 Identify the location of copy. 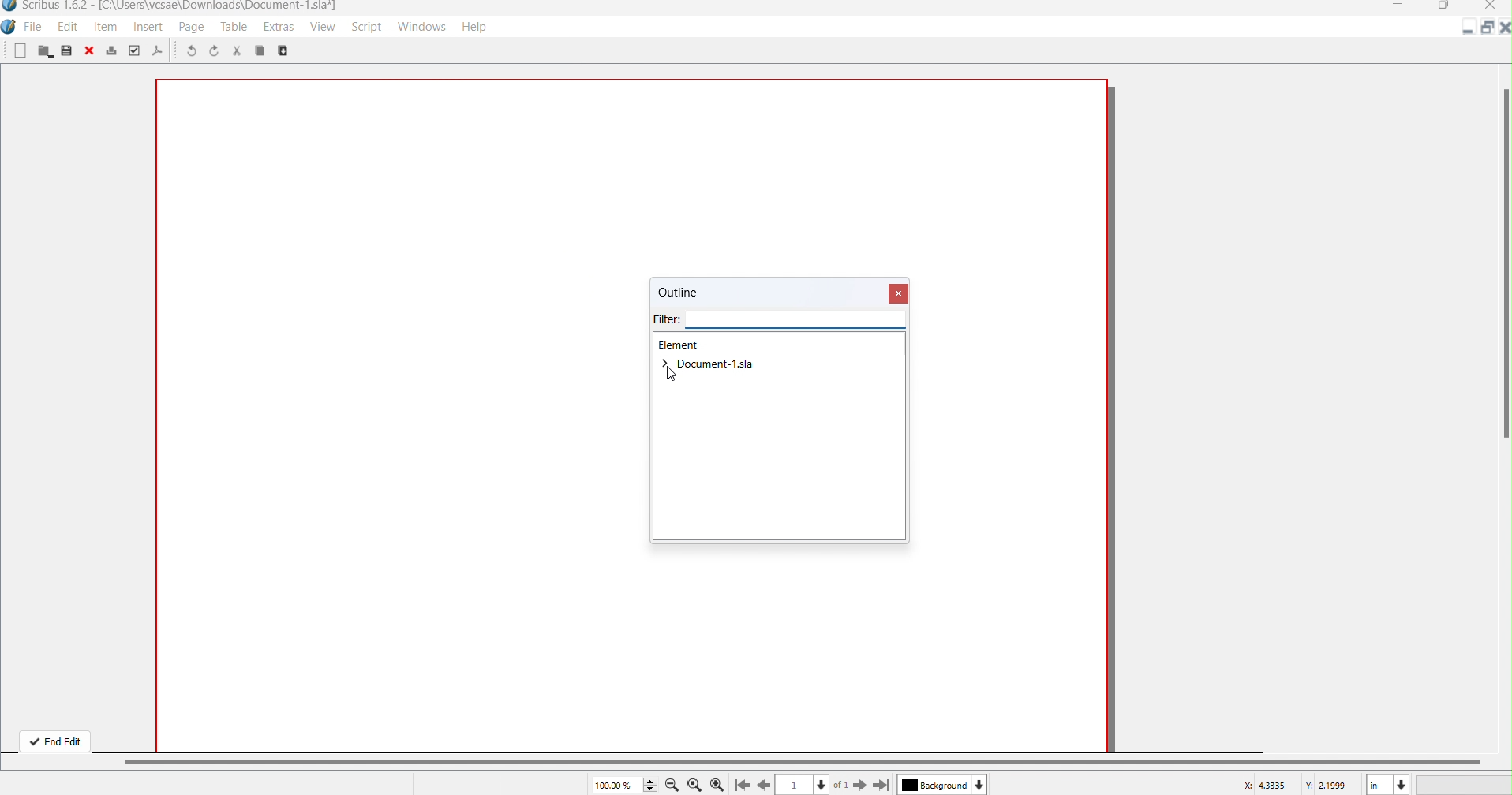
(289, 51).